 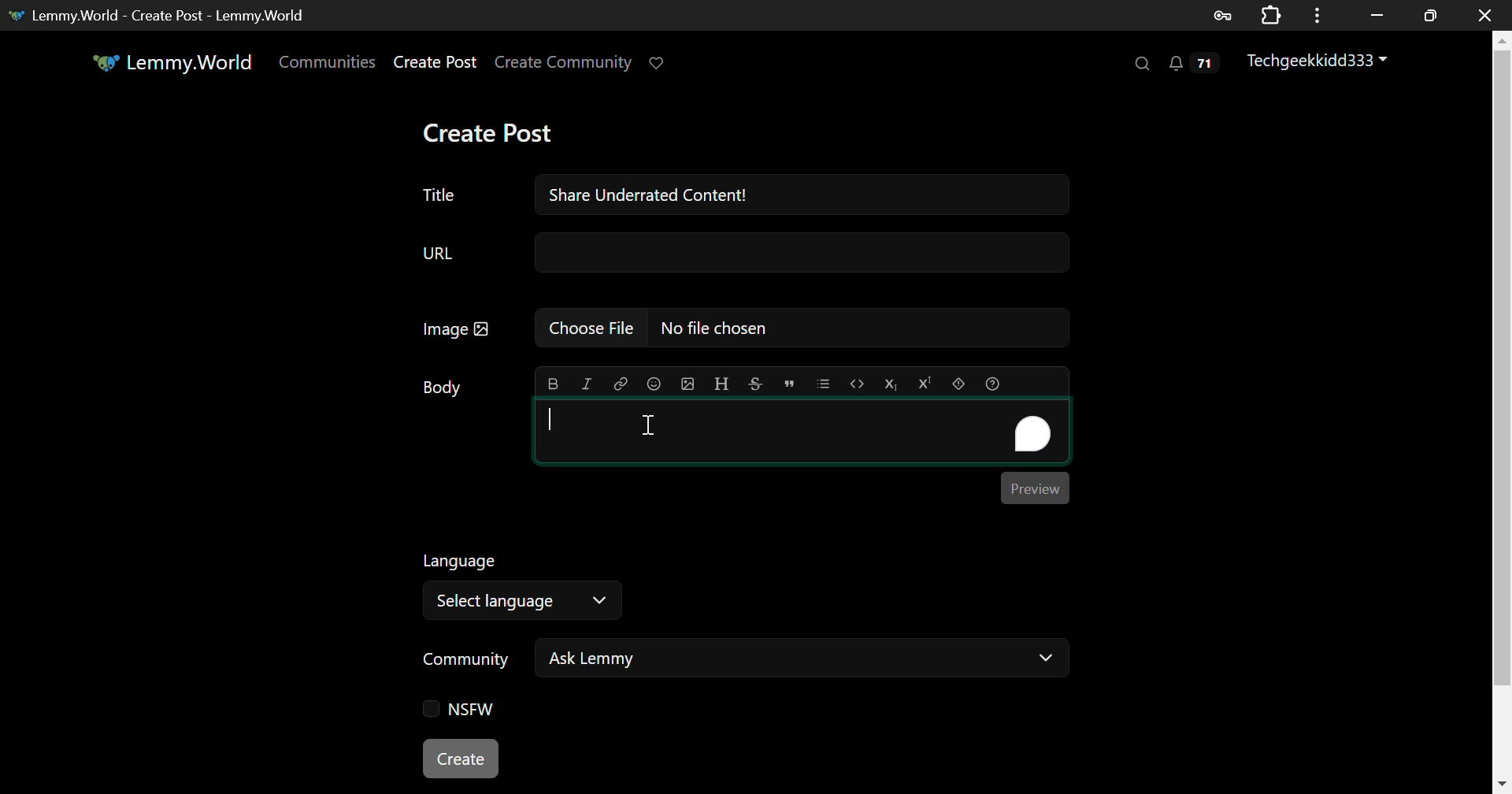 What do you see at coordinates (740, 255) in the screenshot?
I see `URL Field` at bounding box center [740, 255].